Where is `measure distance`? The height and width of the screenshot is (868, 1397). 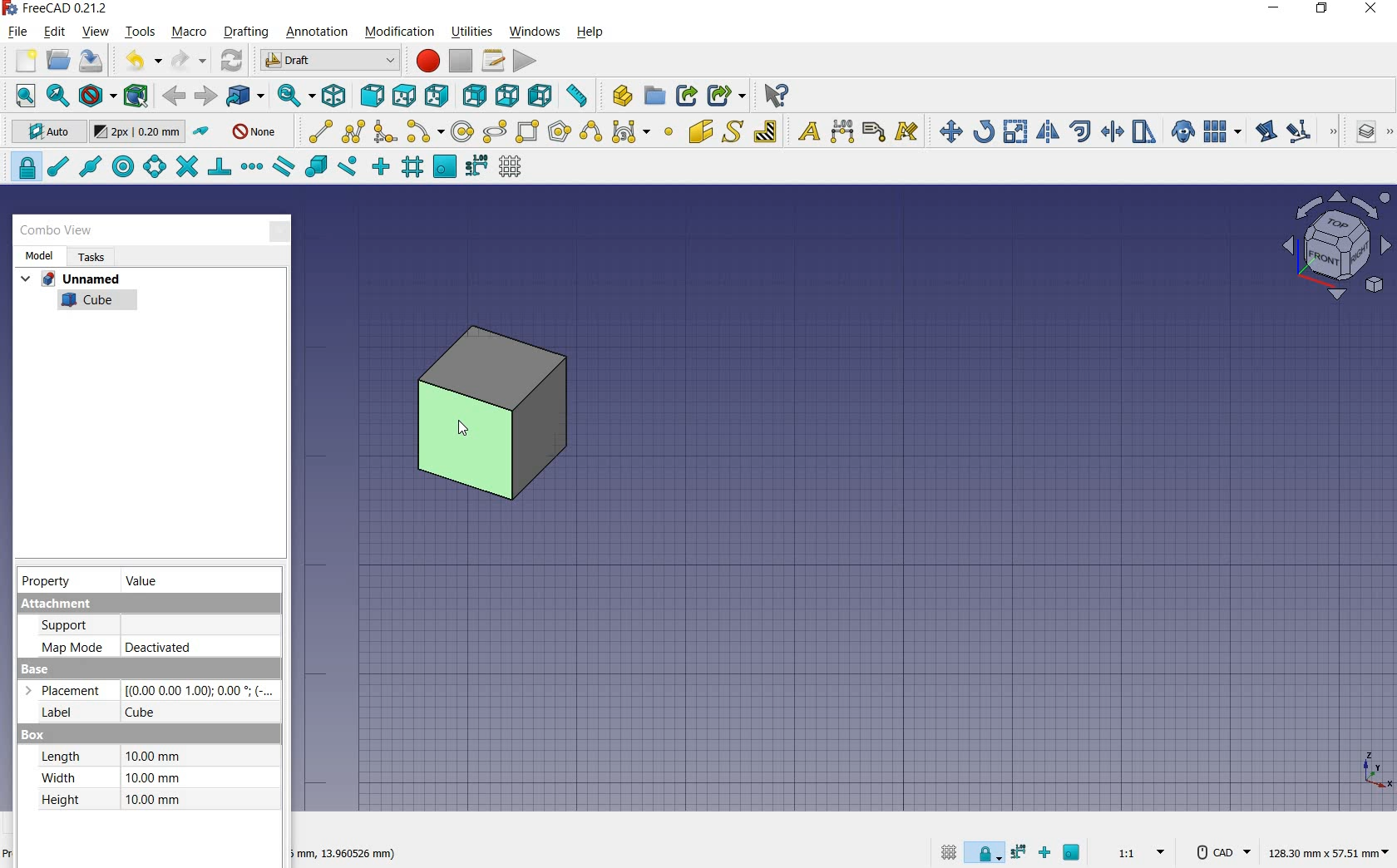
measure distance is located at coordinates (578, 96).